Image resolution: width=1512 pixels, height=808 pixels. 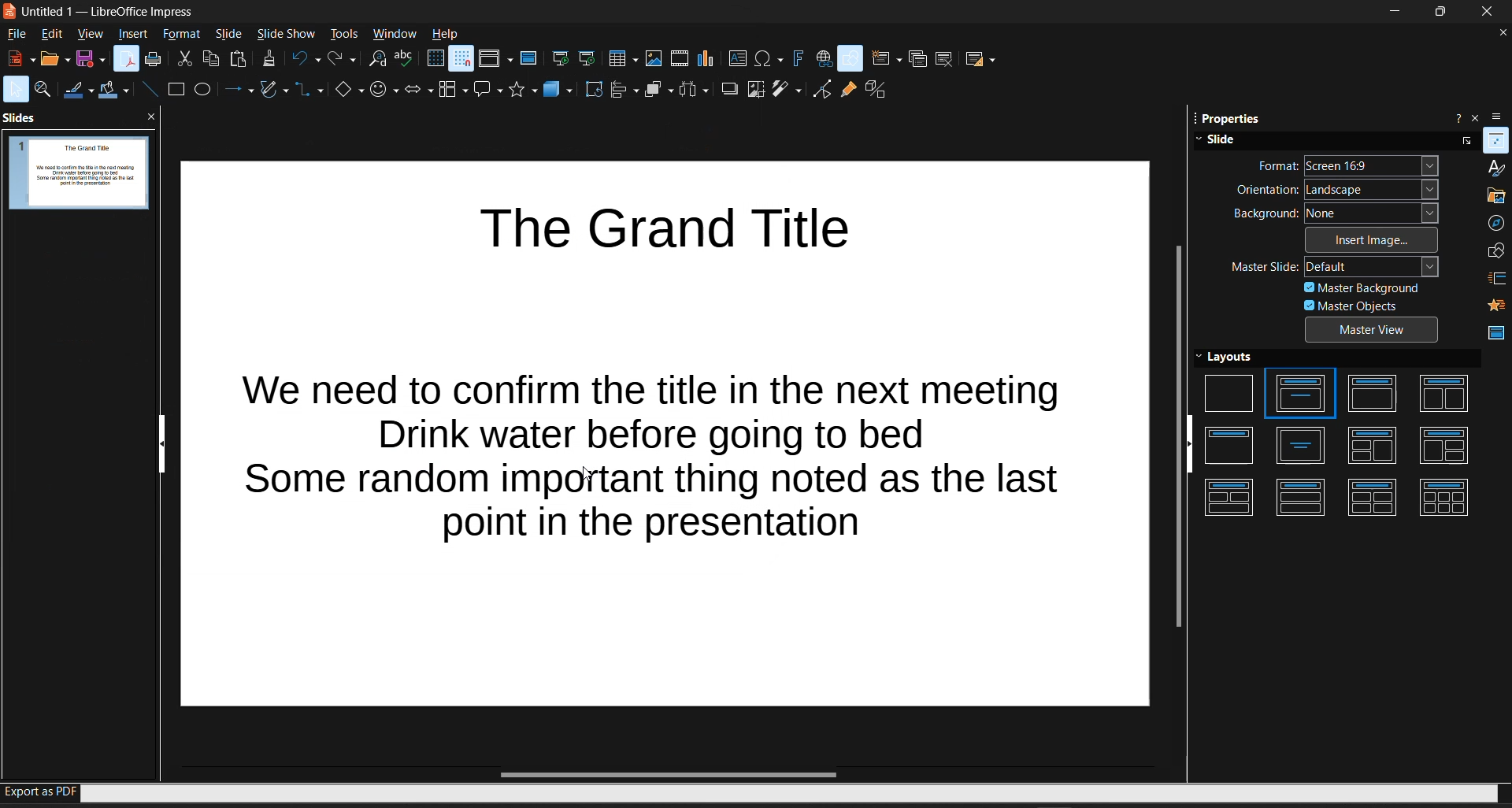 I want to click on square, so click(x=175, y=89).